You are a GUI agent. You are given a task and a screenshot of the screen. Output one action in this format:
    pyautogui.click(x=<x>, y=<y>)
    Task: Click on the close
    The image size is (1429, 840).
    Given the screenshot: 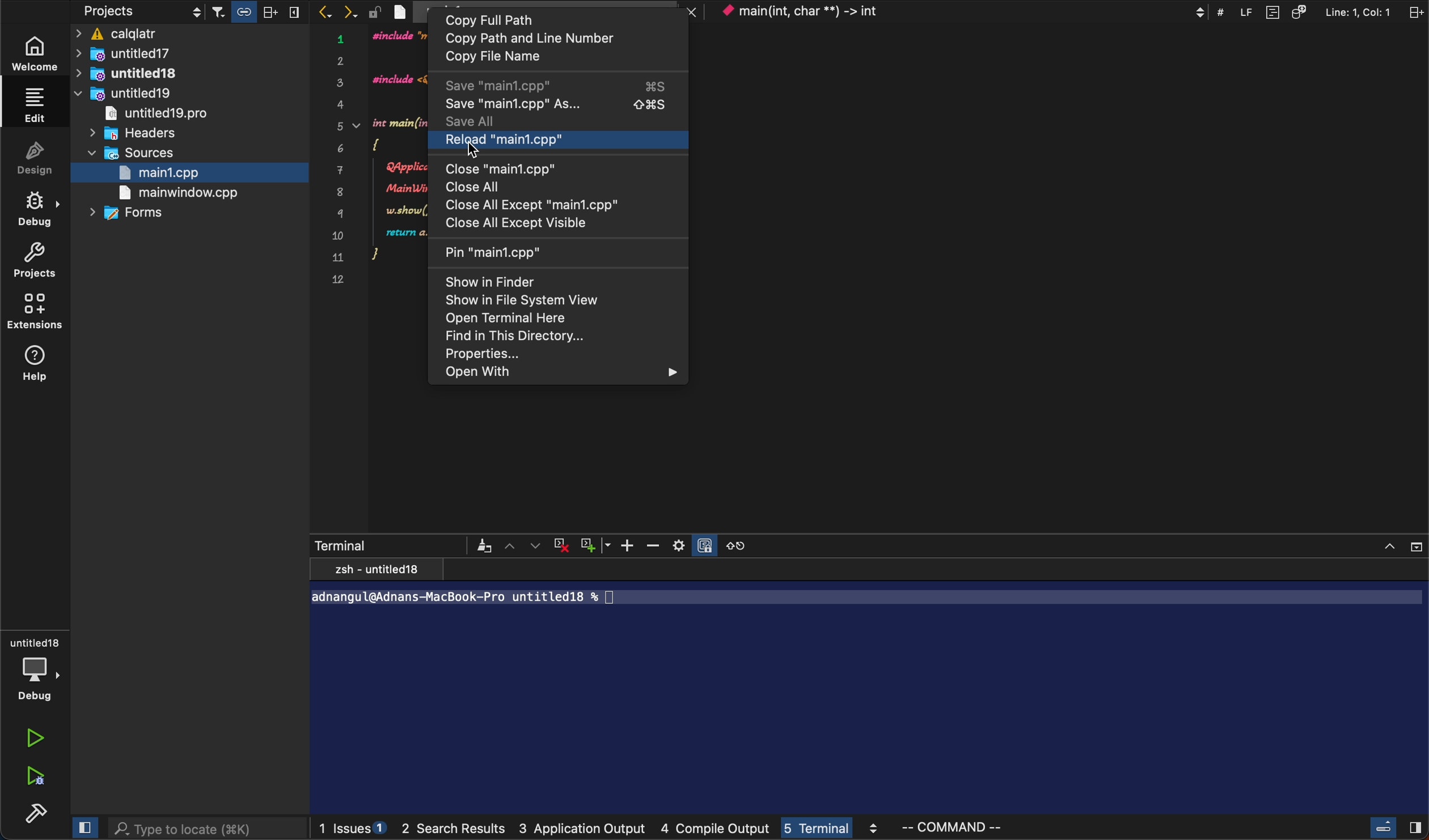 What is the action you would take?
    pyautogui.click(x=1391, y=545)
    